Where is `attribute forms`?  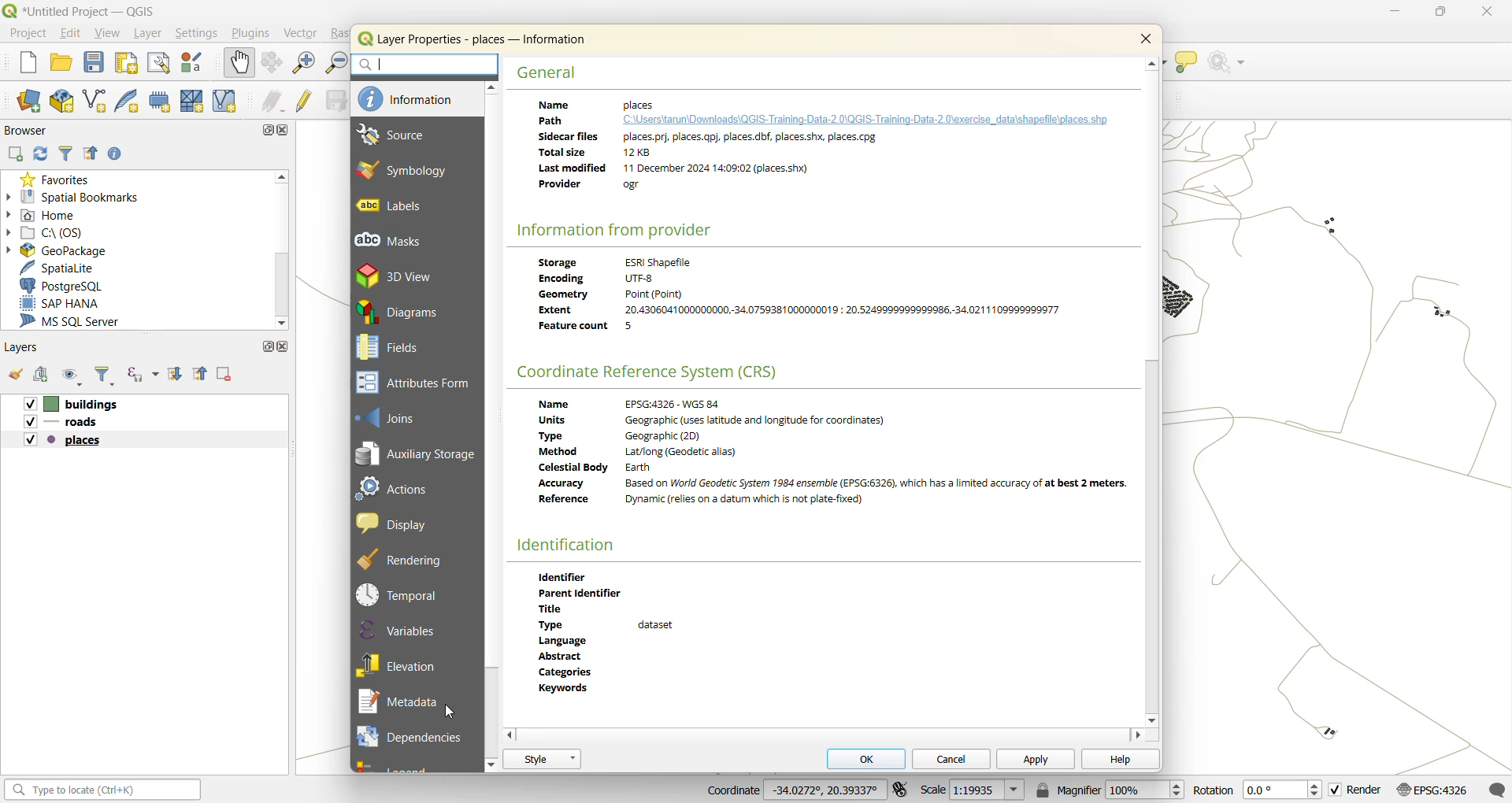
attribute forms is located at coordinates (413, 382).